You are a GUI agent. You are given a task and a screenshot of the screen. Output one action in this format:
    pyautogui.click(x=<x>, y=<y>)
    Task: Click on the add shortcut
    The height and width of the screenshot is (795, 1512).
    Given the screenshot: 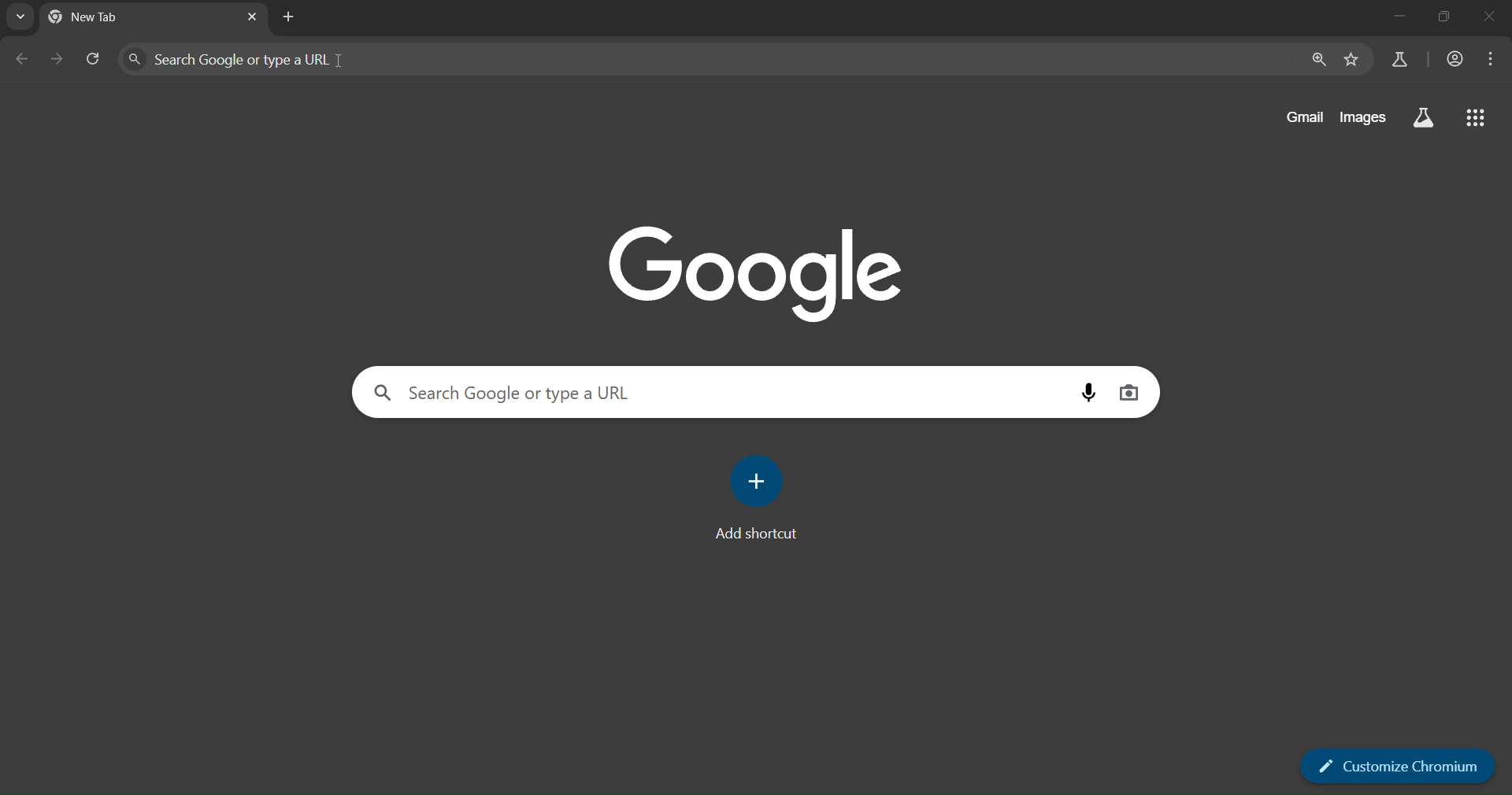 What is the action you would take?
    pyautogui.click(x=760, y=497)
    